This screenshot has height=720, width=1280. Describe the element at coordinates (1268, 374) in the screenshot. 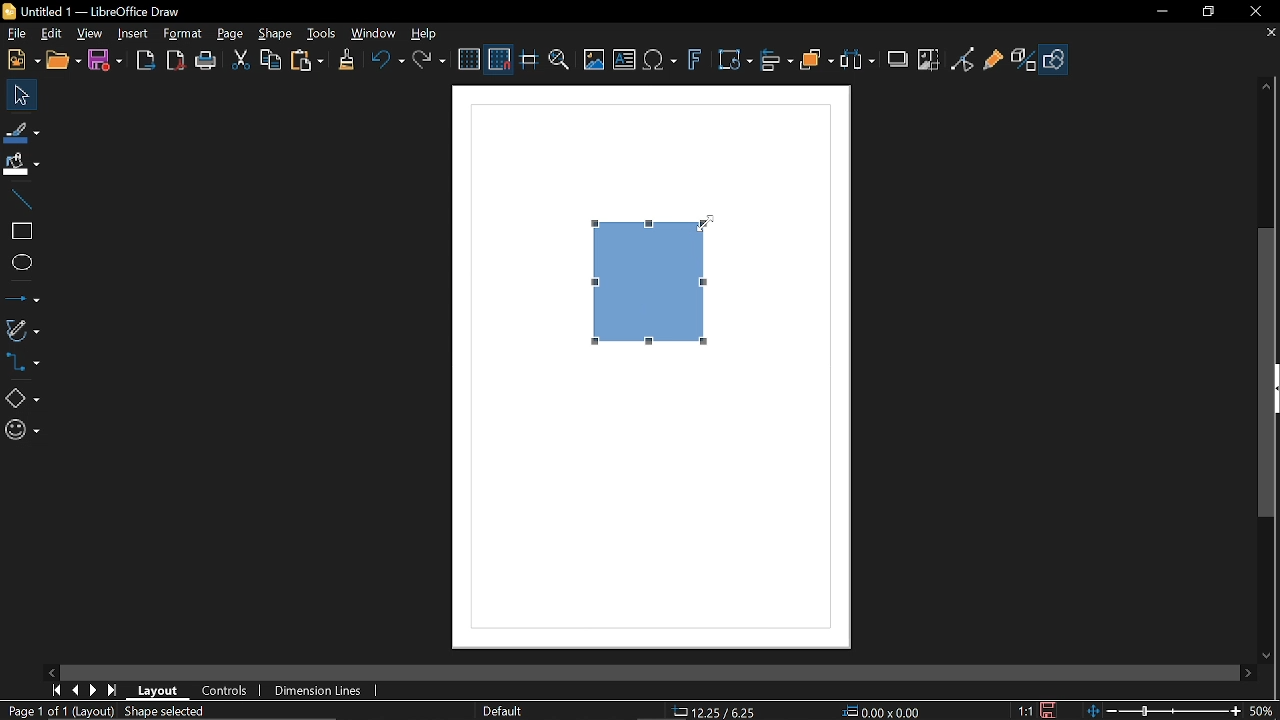

I see `Vertical scrollbar` at that location.